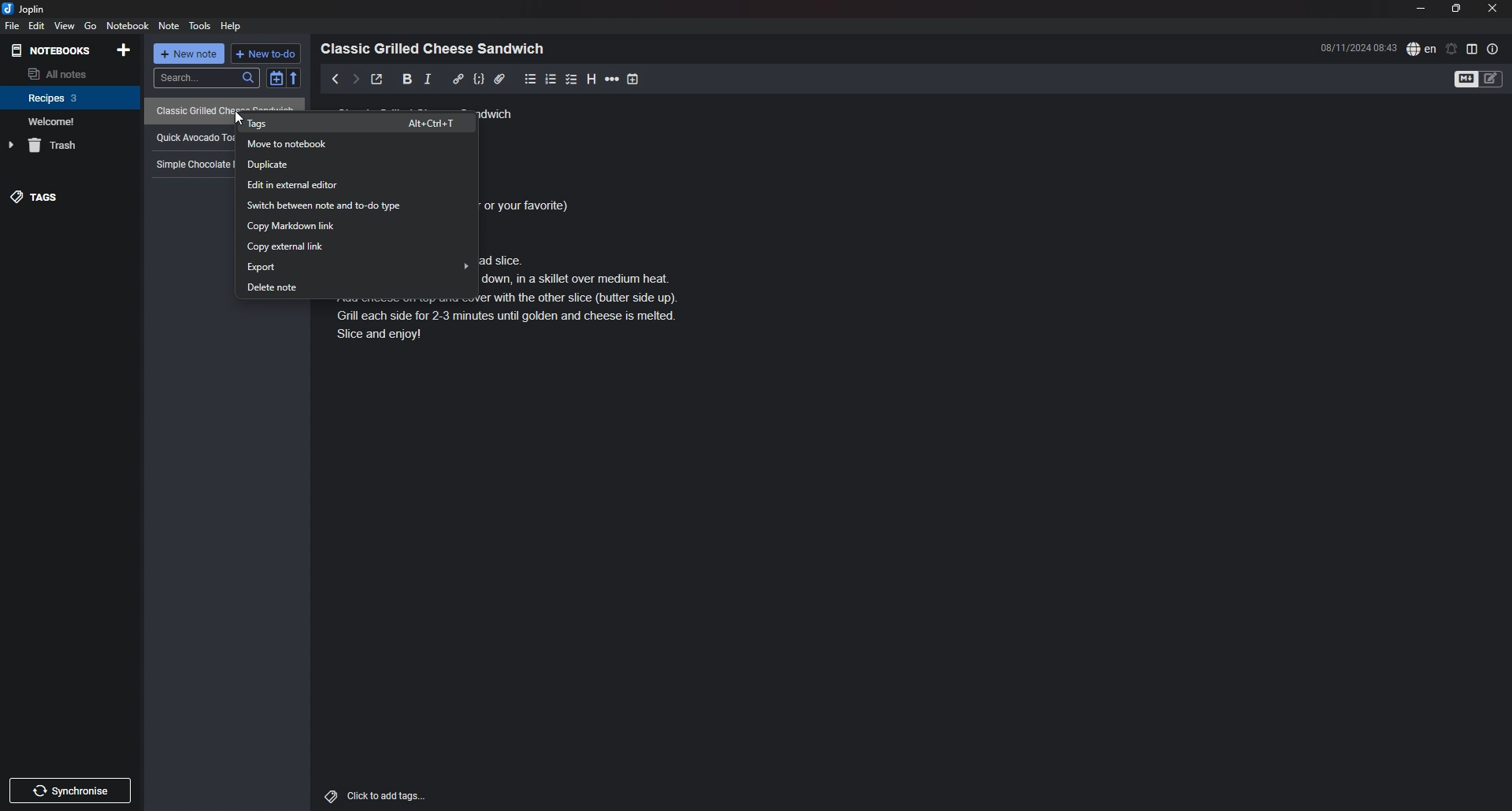  Describe the element at coordinates (295, 78) in the screenshot. I see `reverse sort order` at that location.